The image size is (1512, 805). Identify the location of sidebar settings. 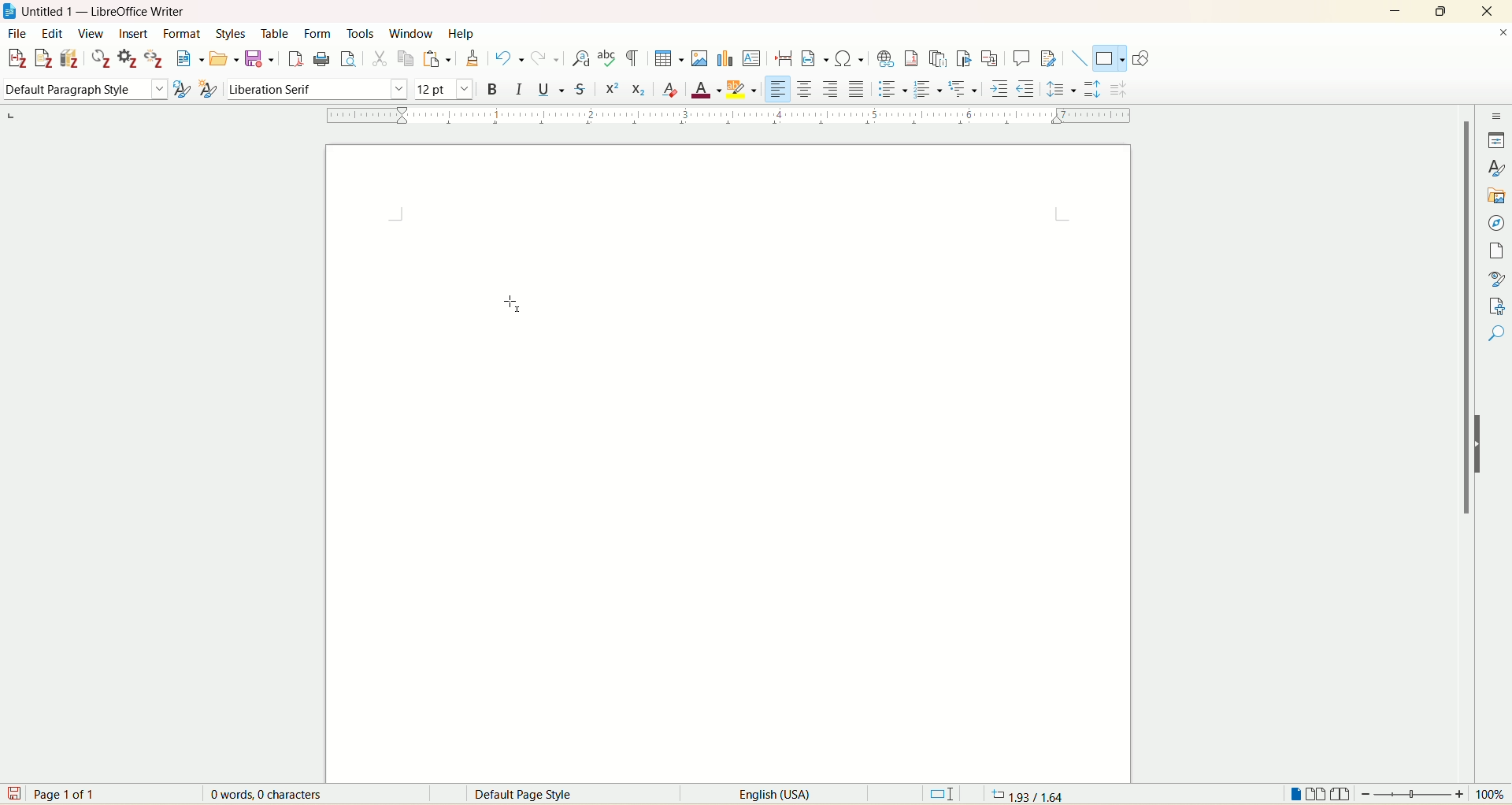
(1497, 114).